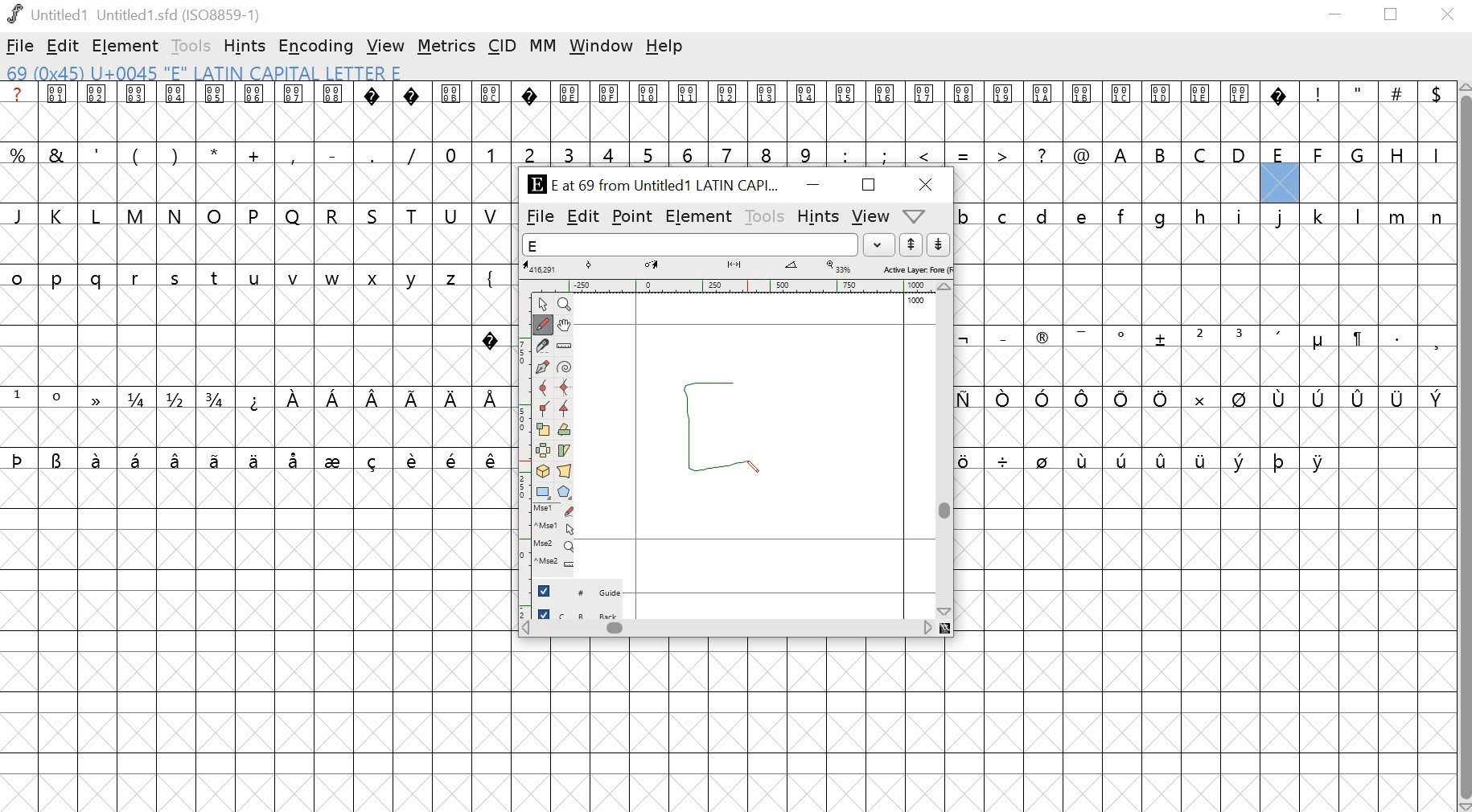  I want to click on view, so click(869, 217).